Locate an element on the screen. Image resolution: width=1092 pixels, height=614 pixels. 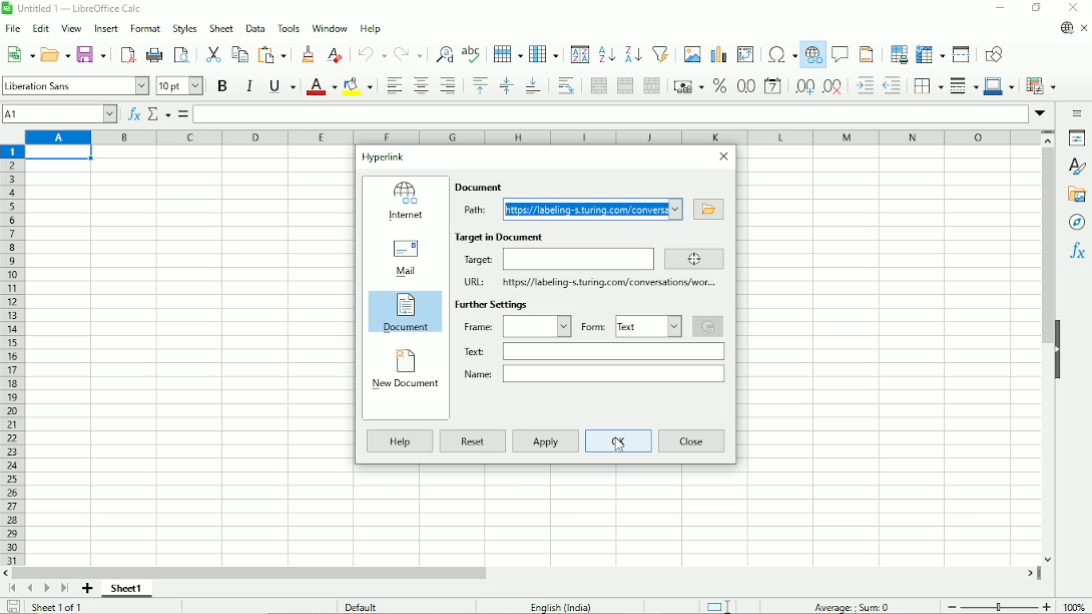
sheet is located at coordinates (222, 28).